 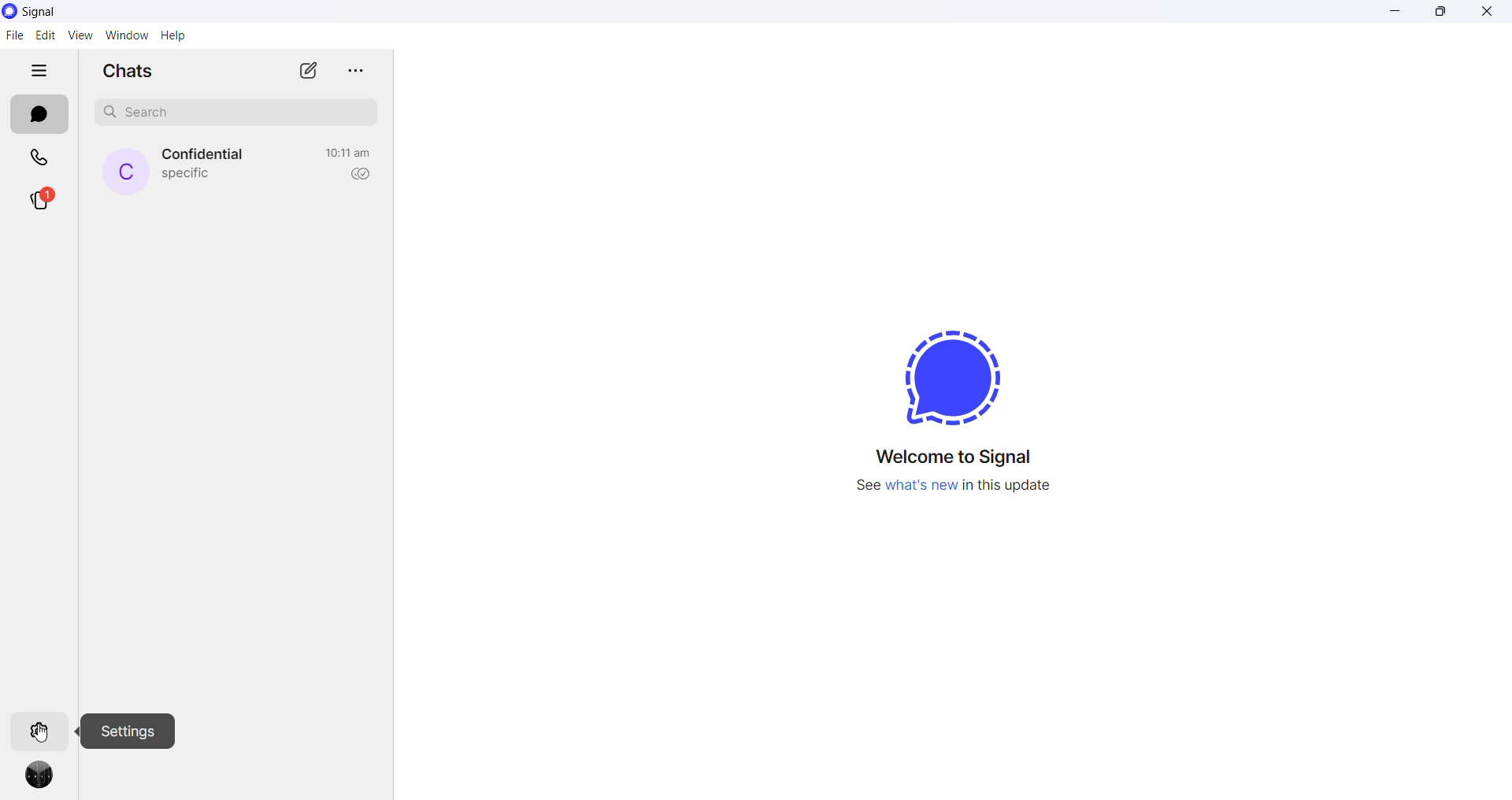 I want to click on view, so click(x=80, y=35).